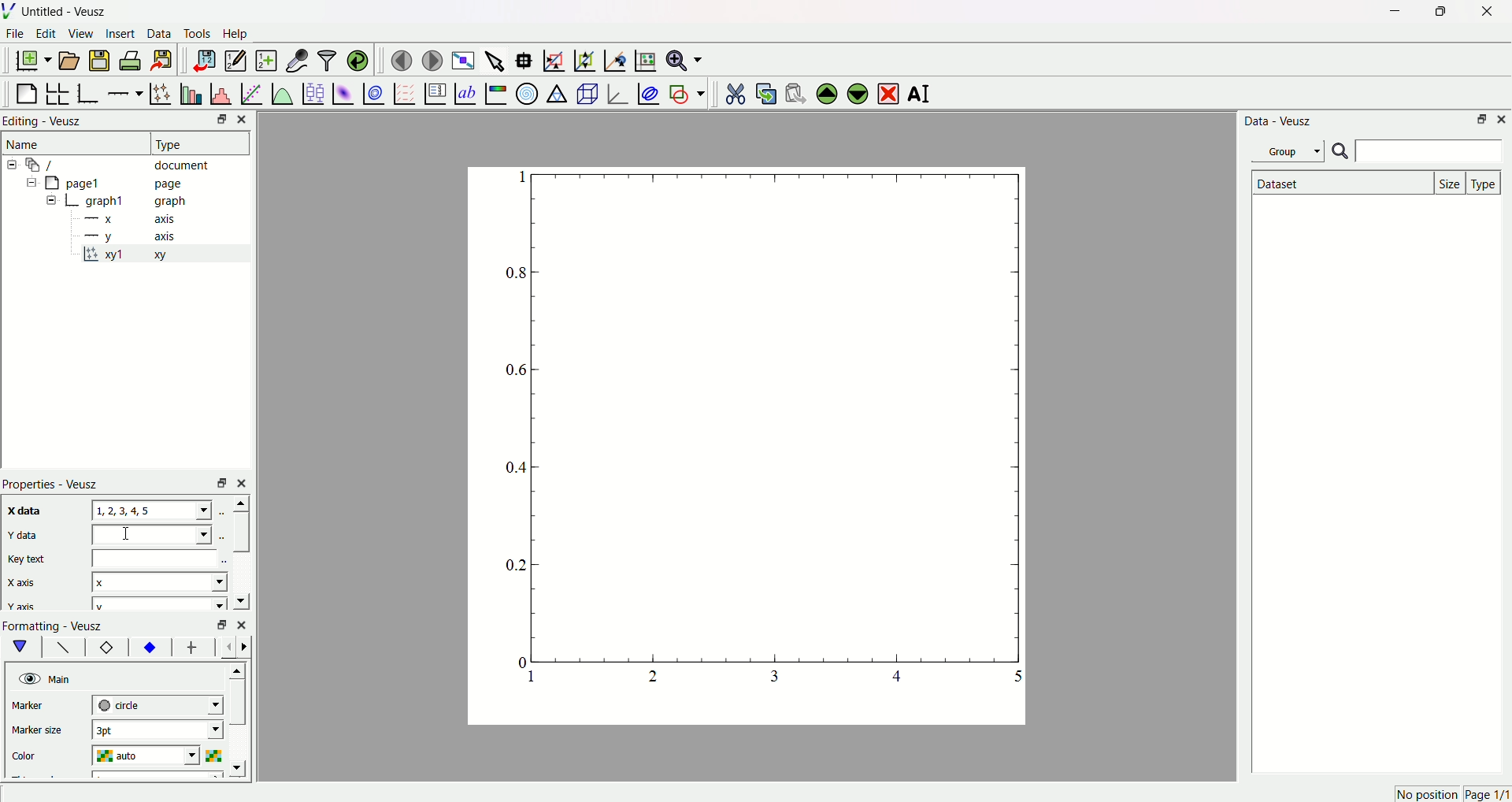 This screenshot has width=1512, height=802. Describe the element at coordinates (160, 92) in the screenshot. I see `lines and error bars` at that location.